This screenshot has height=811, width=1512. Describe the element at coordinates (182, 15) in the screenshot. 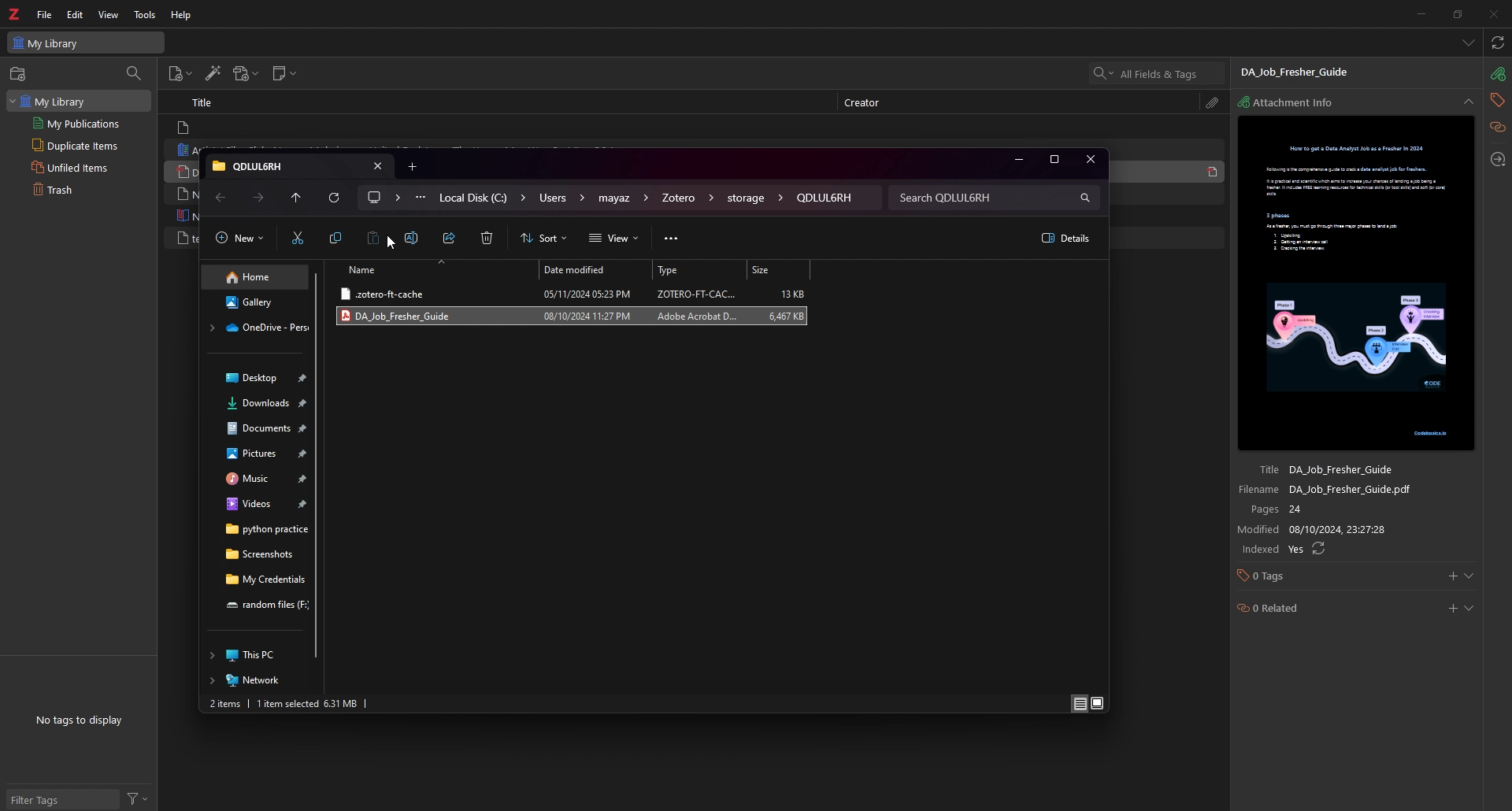

I see `help` at that location.